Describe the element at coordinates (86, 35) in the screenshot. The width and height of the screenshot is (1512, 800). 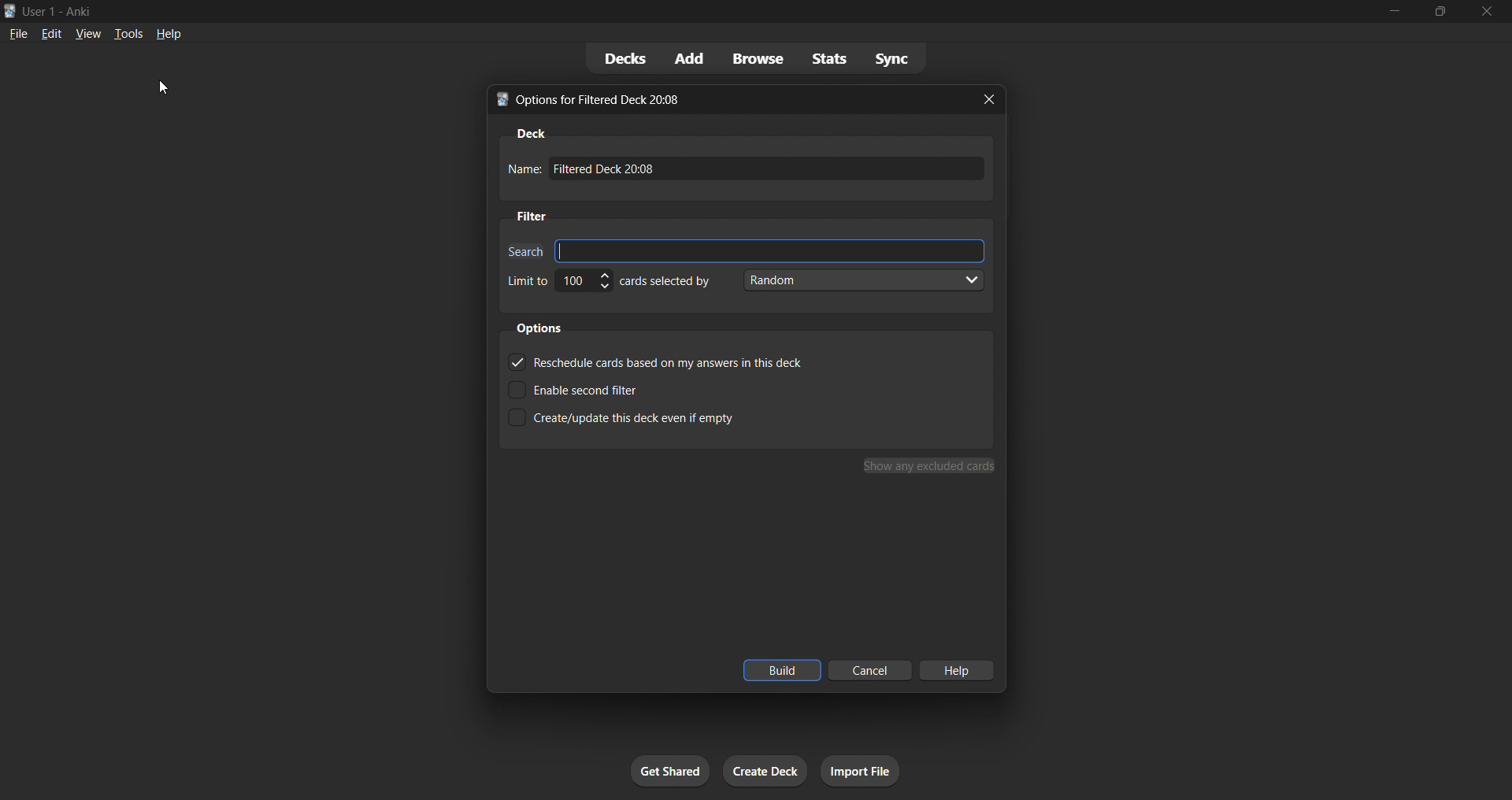
I see `view` at that location.